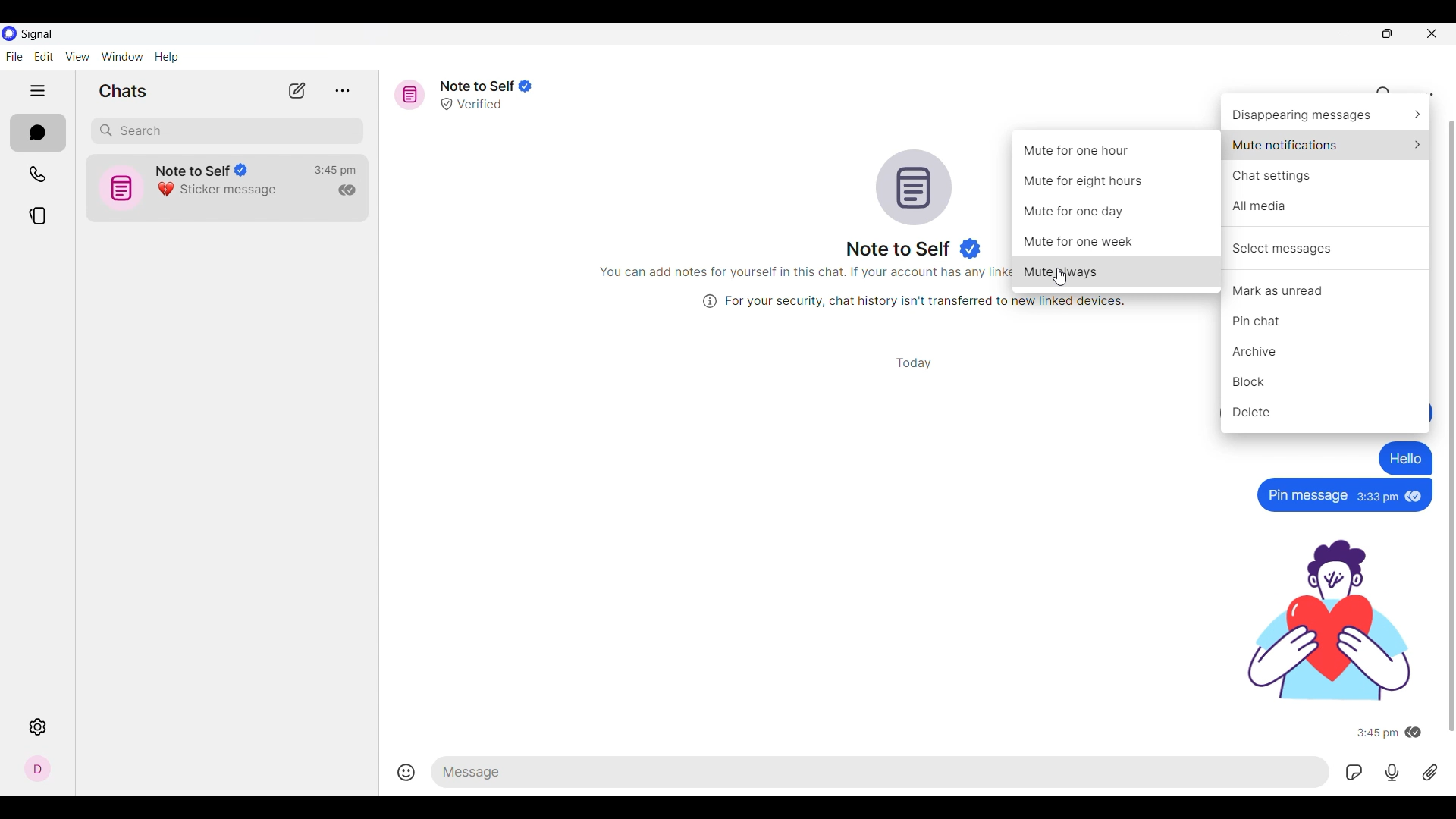 The height and width of the screenshot is (819, 1456). What do you see at coordinates (1326, 145) in the screenshot?
I see `Mute notification options, highlighted by cursor` at bounding box center [1326, 145].